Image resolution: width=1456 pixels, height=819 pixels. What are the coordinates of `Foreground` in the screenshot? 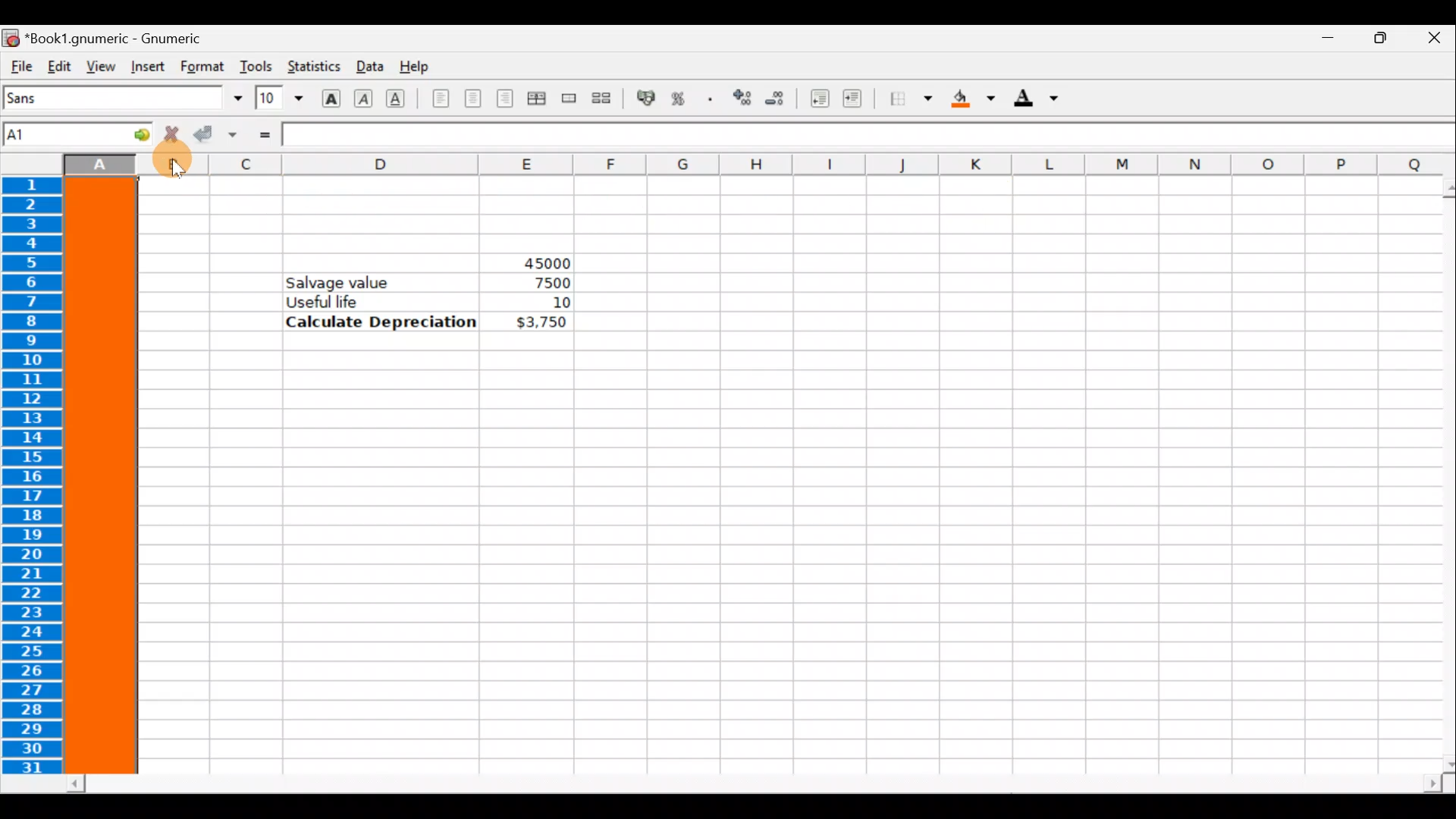 It's located at (1041, 99).